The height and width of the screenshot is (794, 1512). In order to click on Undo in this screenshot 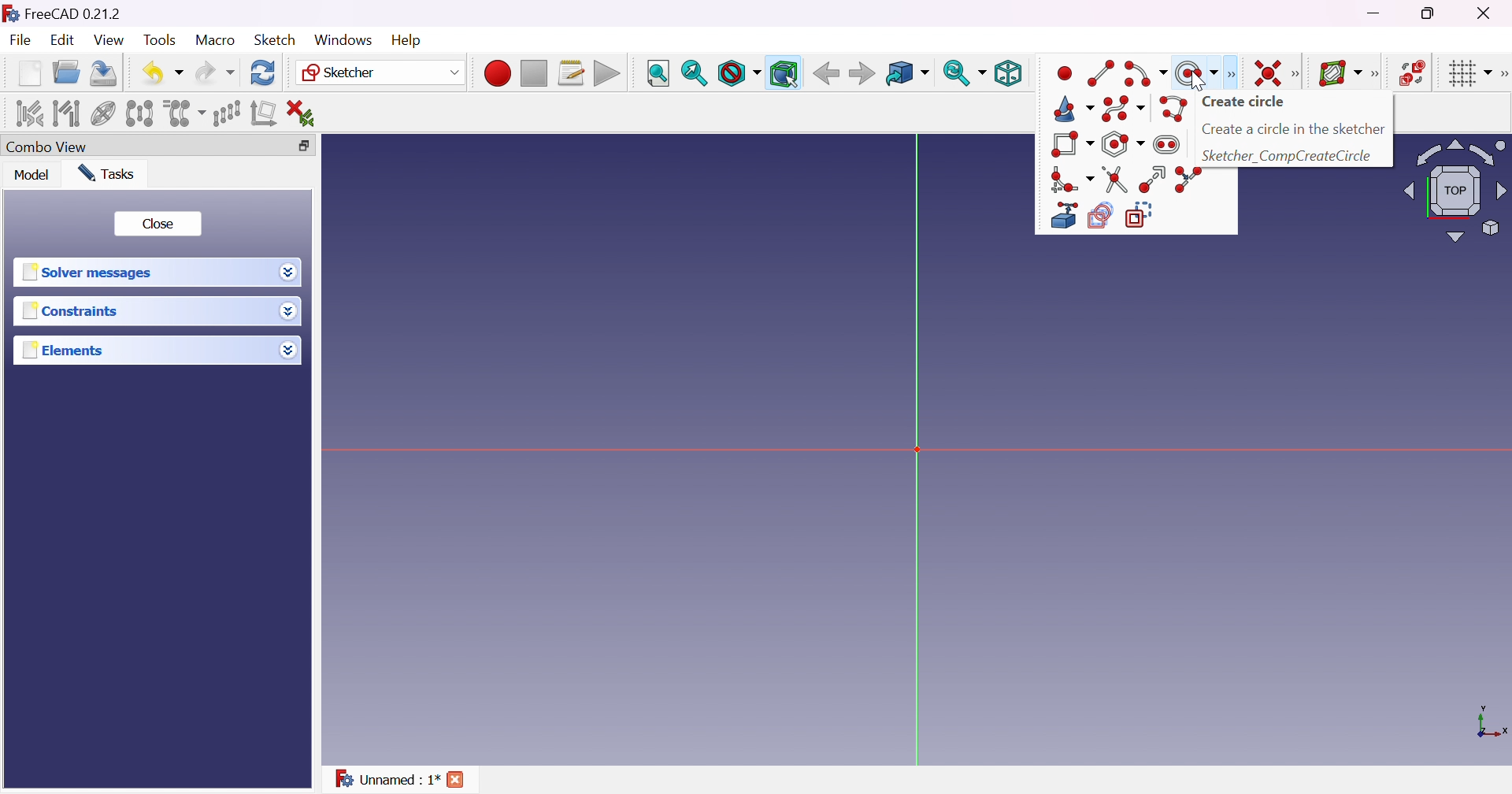, I will do `click(162, 73)`.